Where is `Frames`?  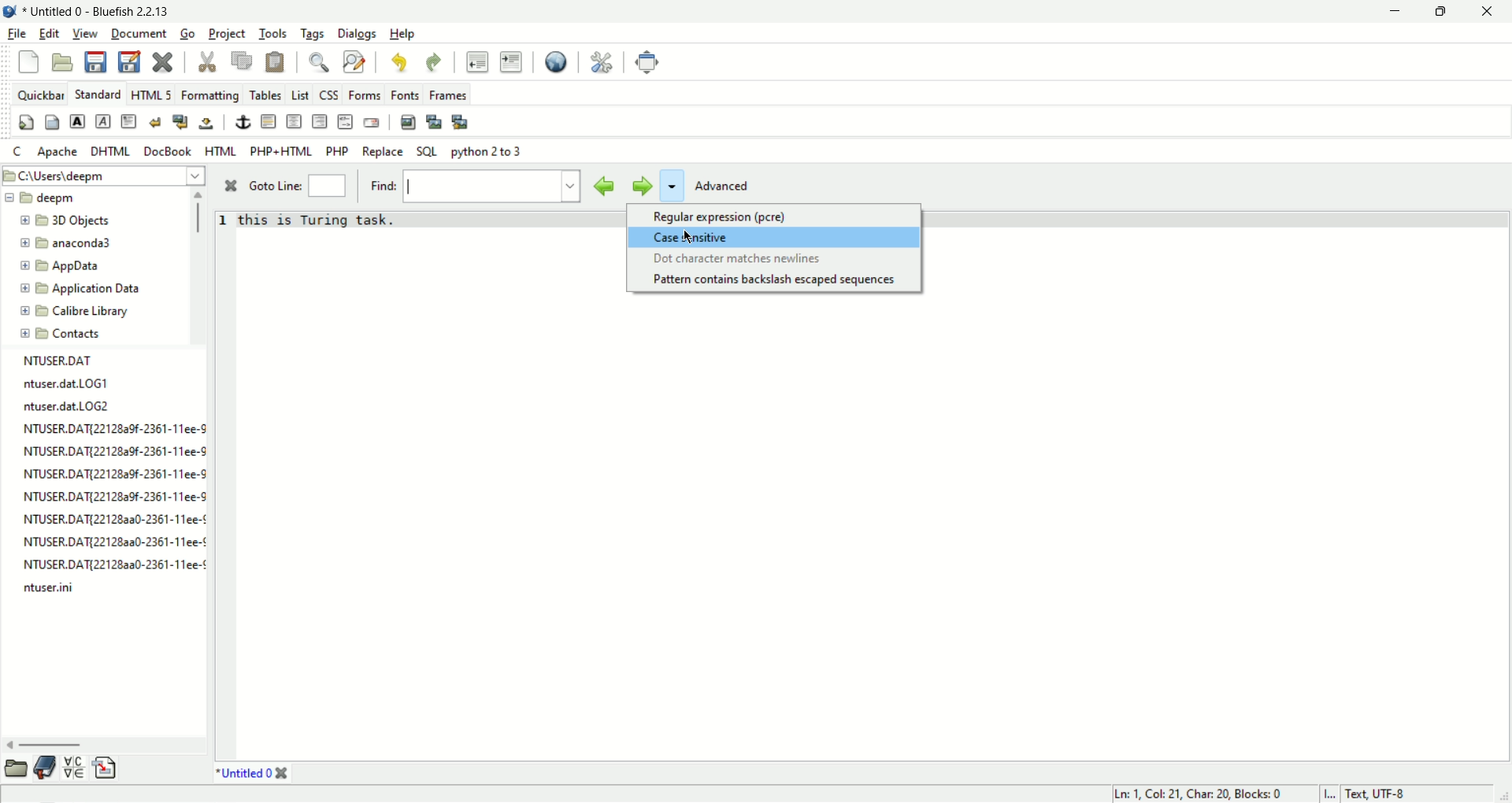 Frames is located at coordinates (448, 94).